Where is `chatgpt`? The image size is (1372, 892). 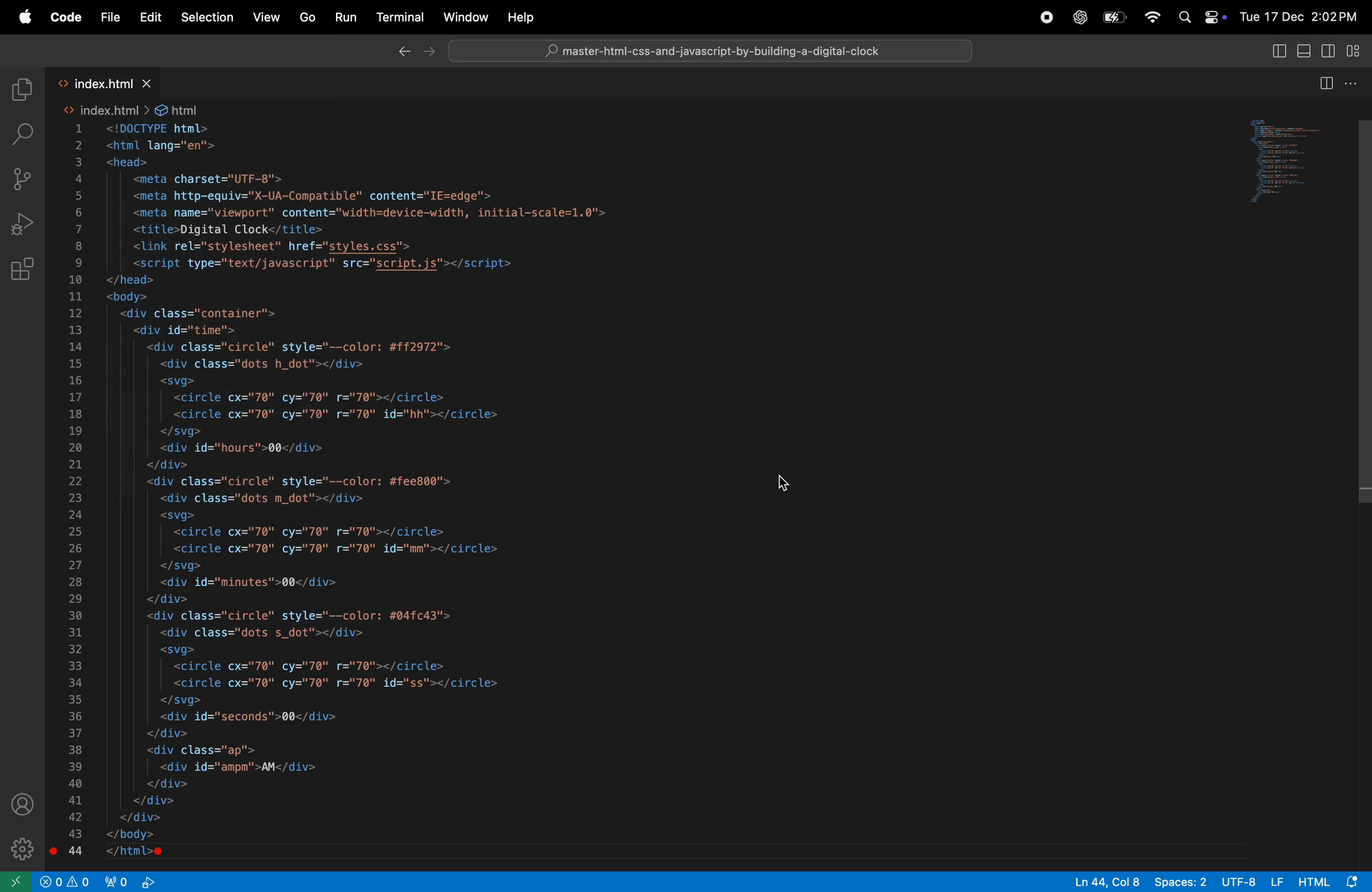 chatgpt is located at coordinates (1042, 17).